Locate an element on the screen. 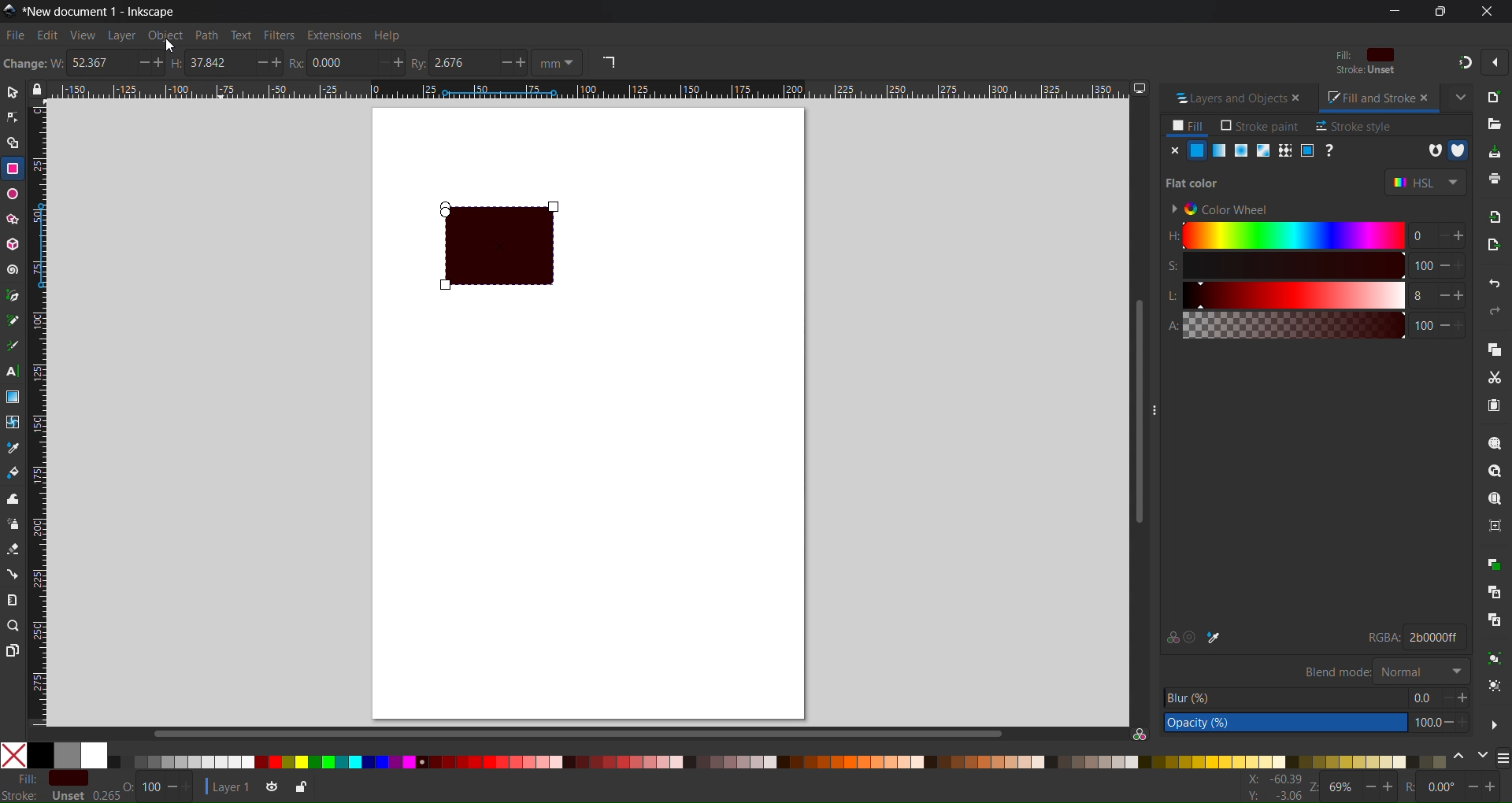 Image resolution: width=1512 pixels, height=803 pixels. flat color is located at coordinates (1199, 182).